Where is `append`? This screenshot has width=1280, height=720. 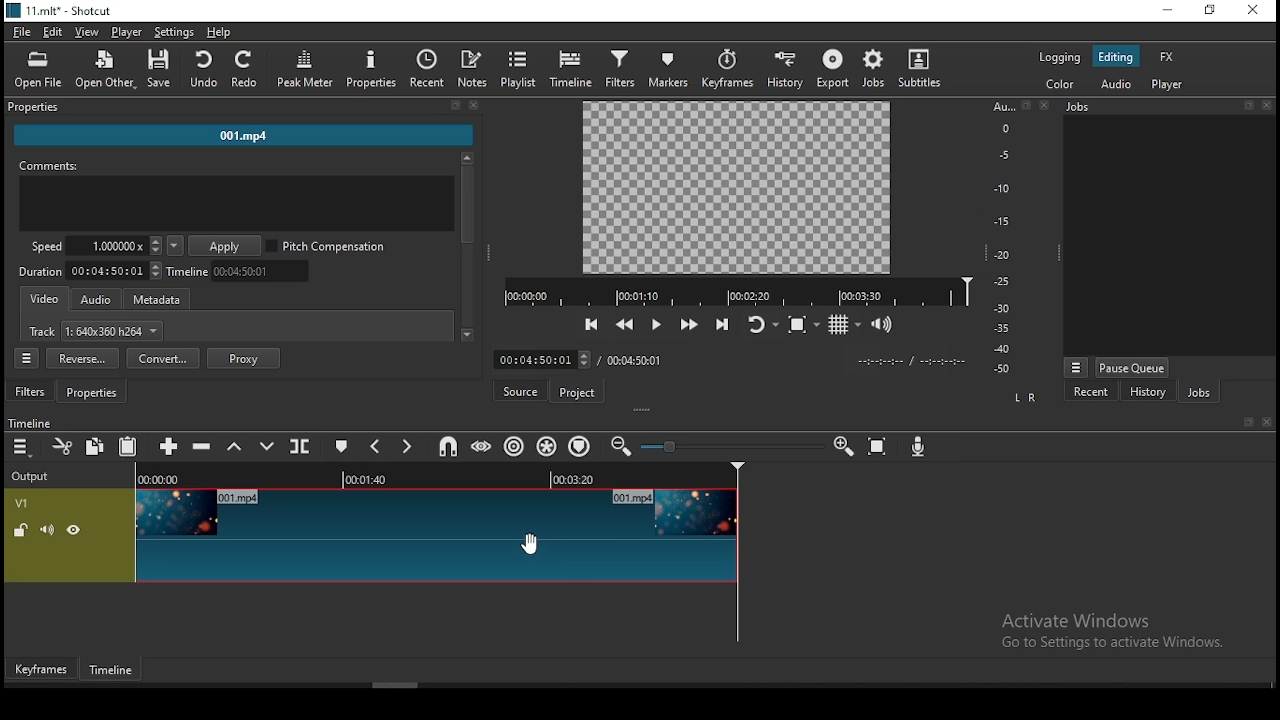
append is located at coordinates (171, 446).